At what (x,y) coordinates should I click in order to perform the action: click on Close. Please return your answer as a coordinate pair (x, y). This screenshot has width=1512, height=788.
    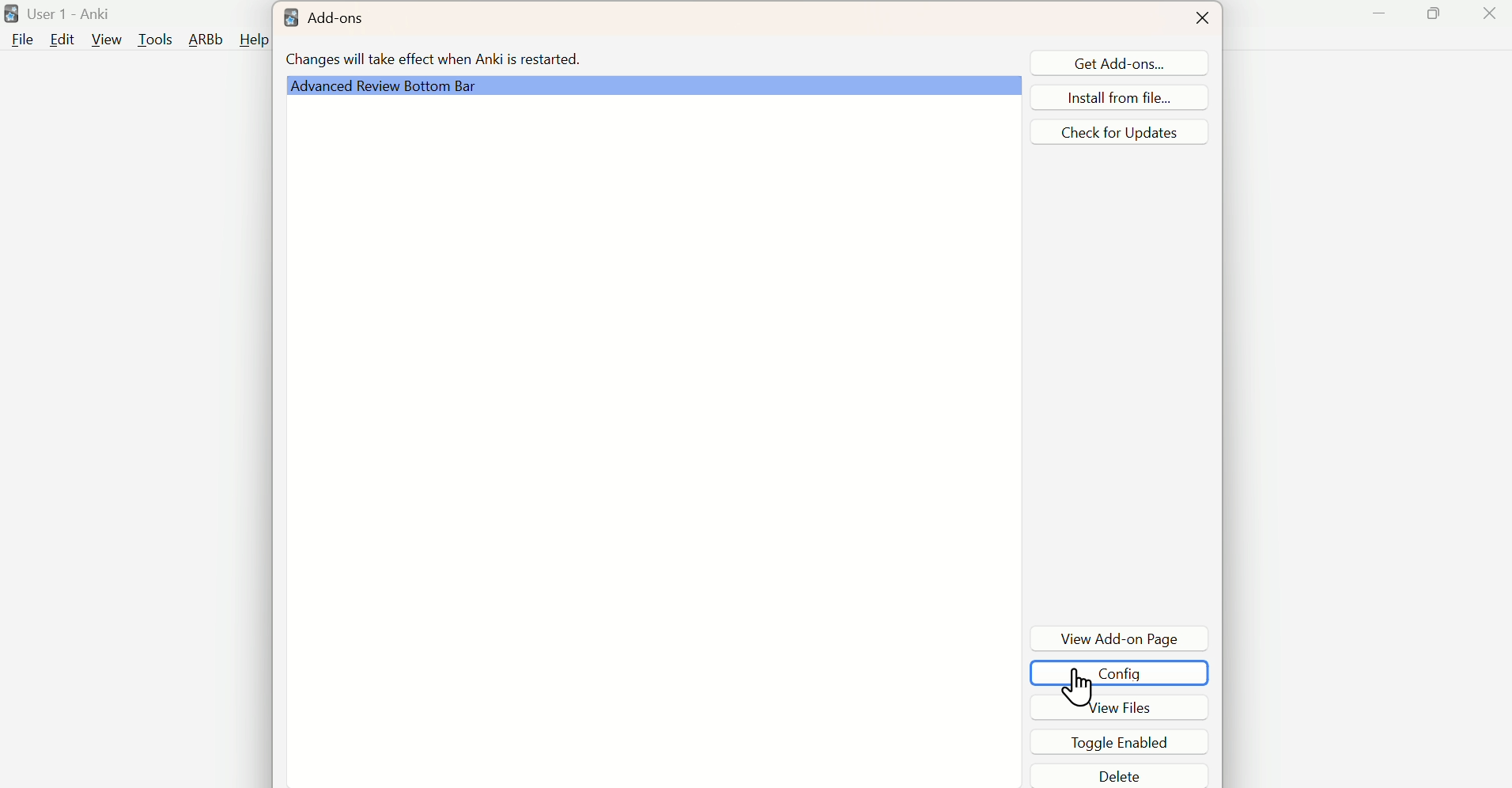
    Looking at the image, I should click on (1211, 19).